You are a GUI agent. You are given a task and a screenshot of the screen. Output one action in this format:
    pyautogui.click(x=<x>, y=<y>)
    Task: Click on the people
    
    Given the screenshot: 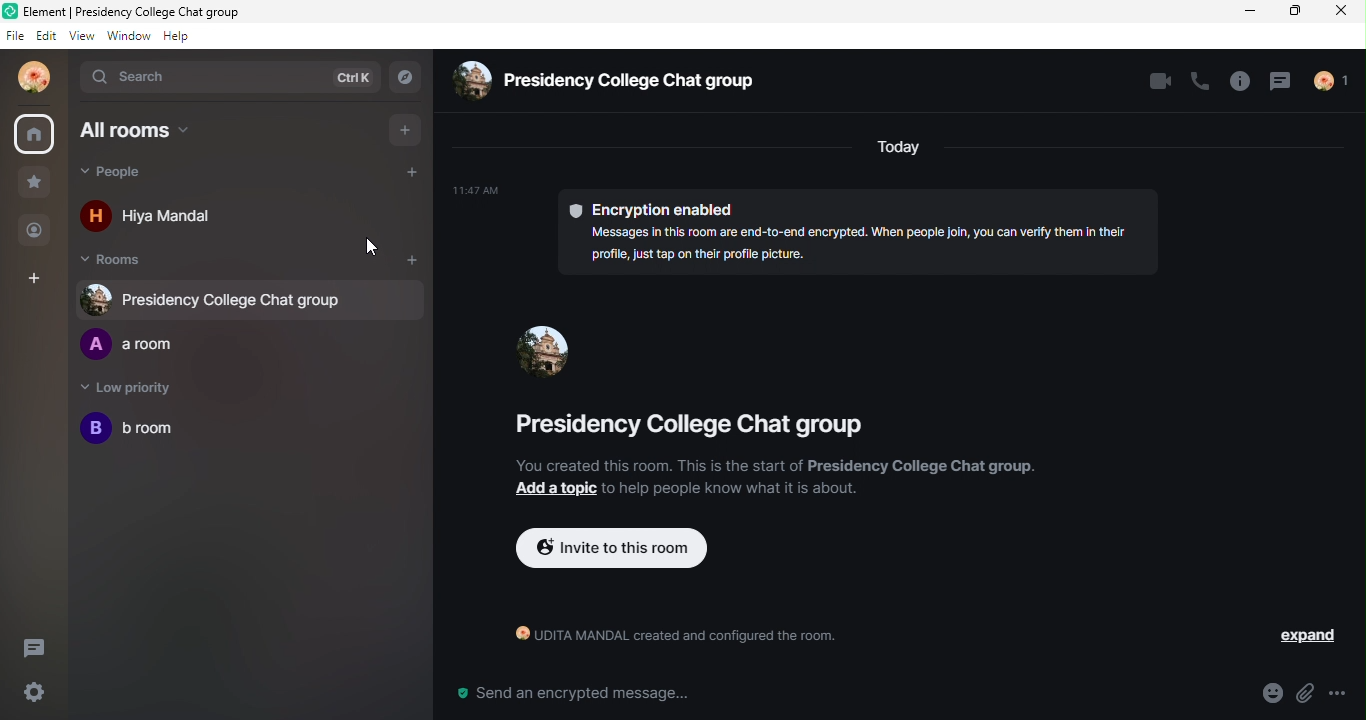 What is the action you would take?
    pyautogui.click(x=36, y=233)
    